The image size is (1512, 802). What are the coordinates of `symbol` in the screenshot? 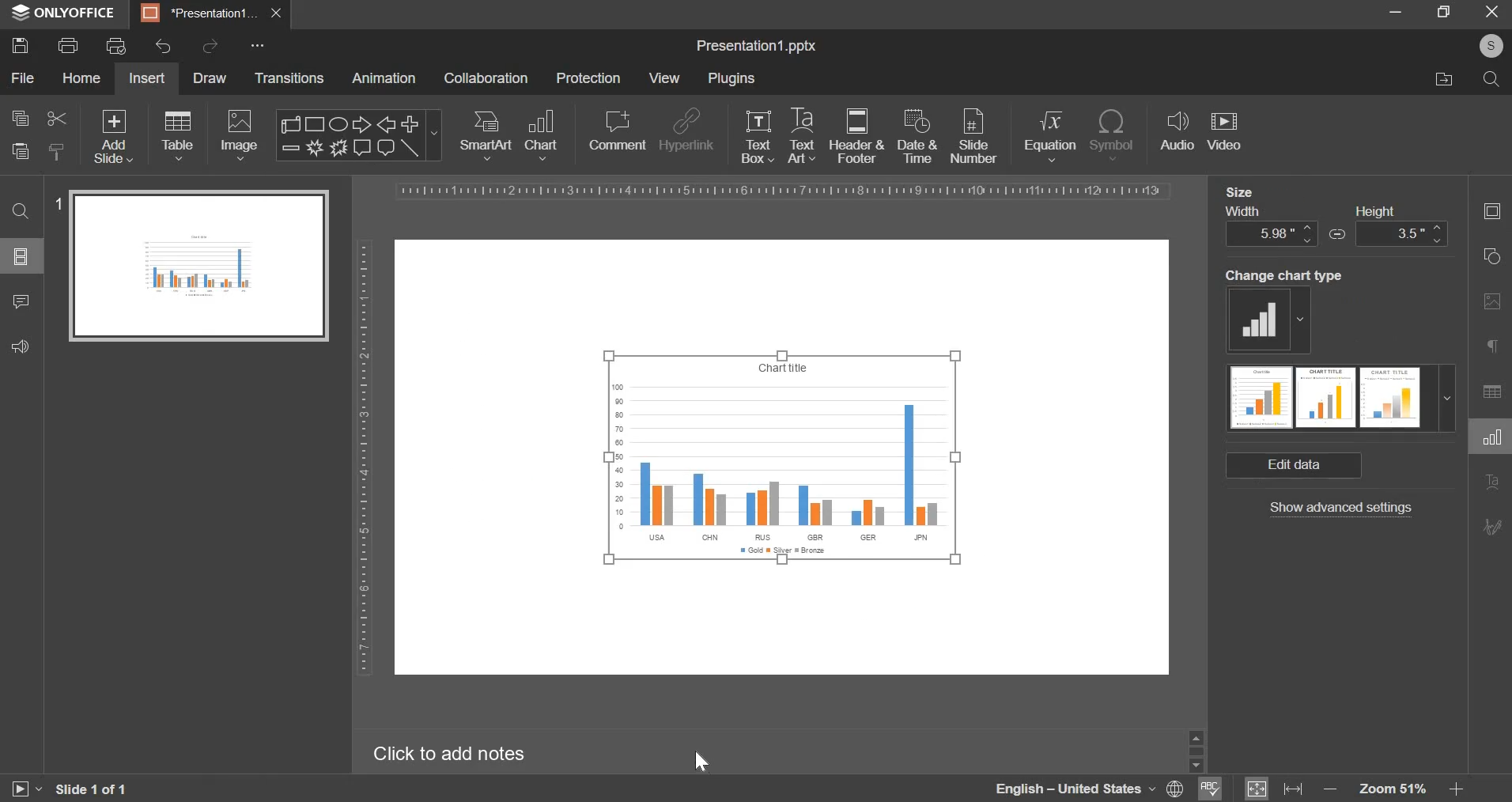 It's located at (1113, 134).